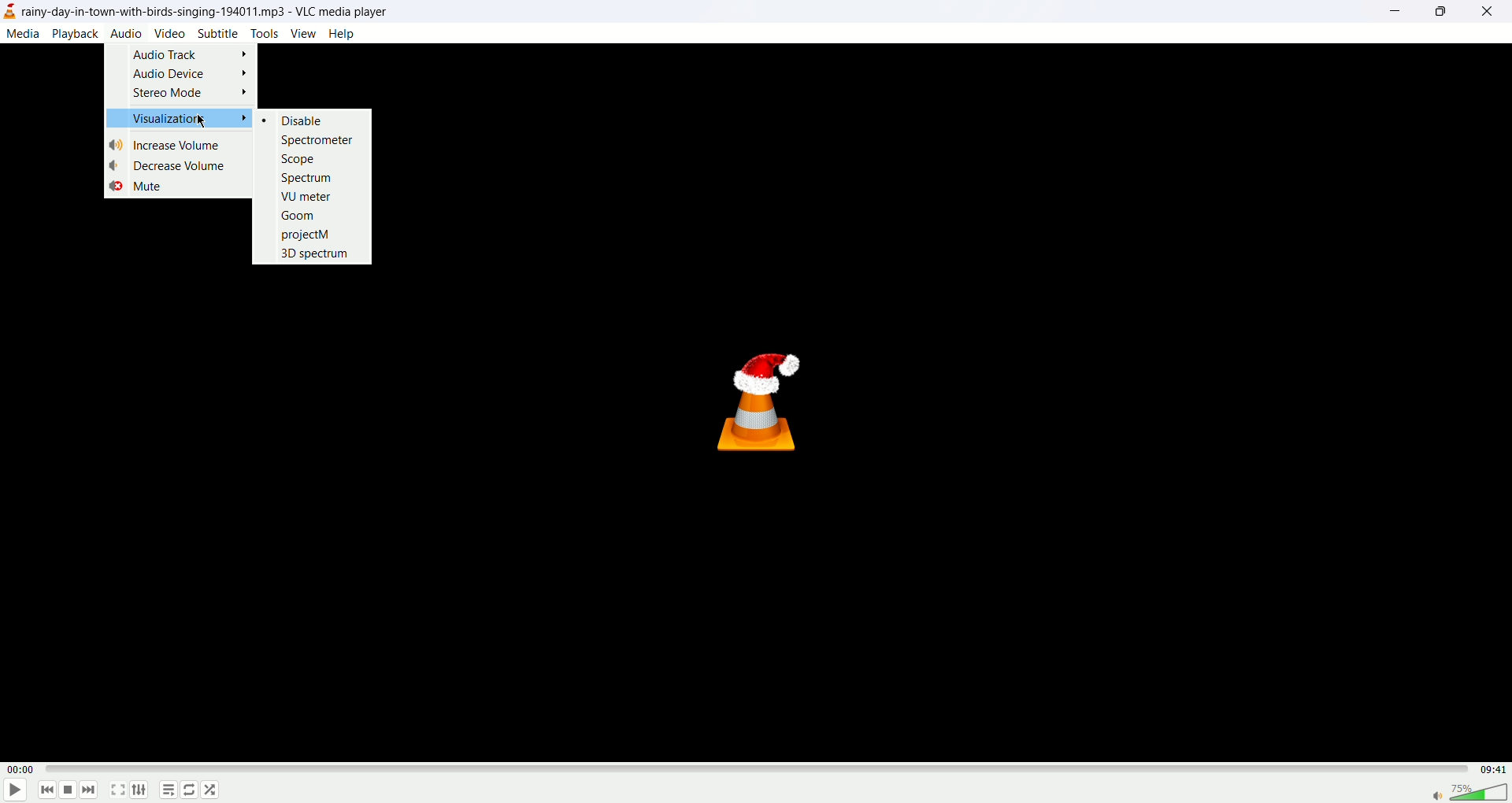 The width and height of the screenshot is (1512, 803). What do you see at coordinates (91, 790) in the screenshot?
I see `next` at bounding box center [91, 790].